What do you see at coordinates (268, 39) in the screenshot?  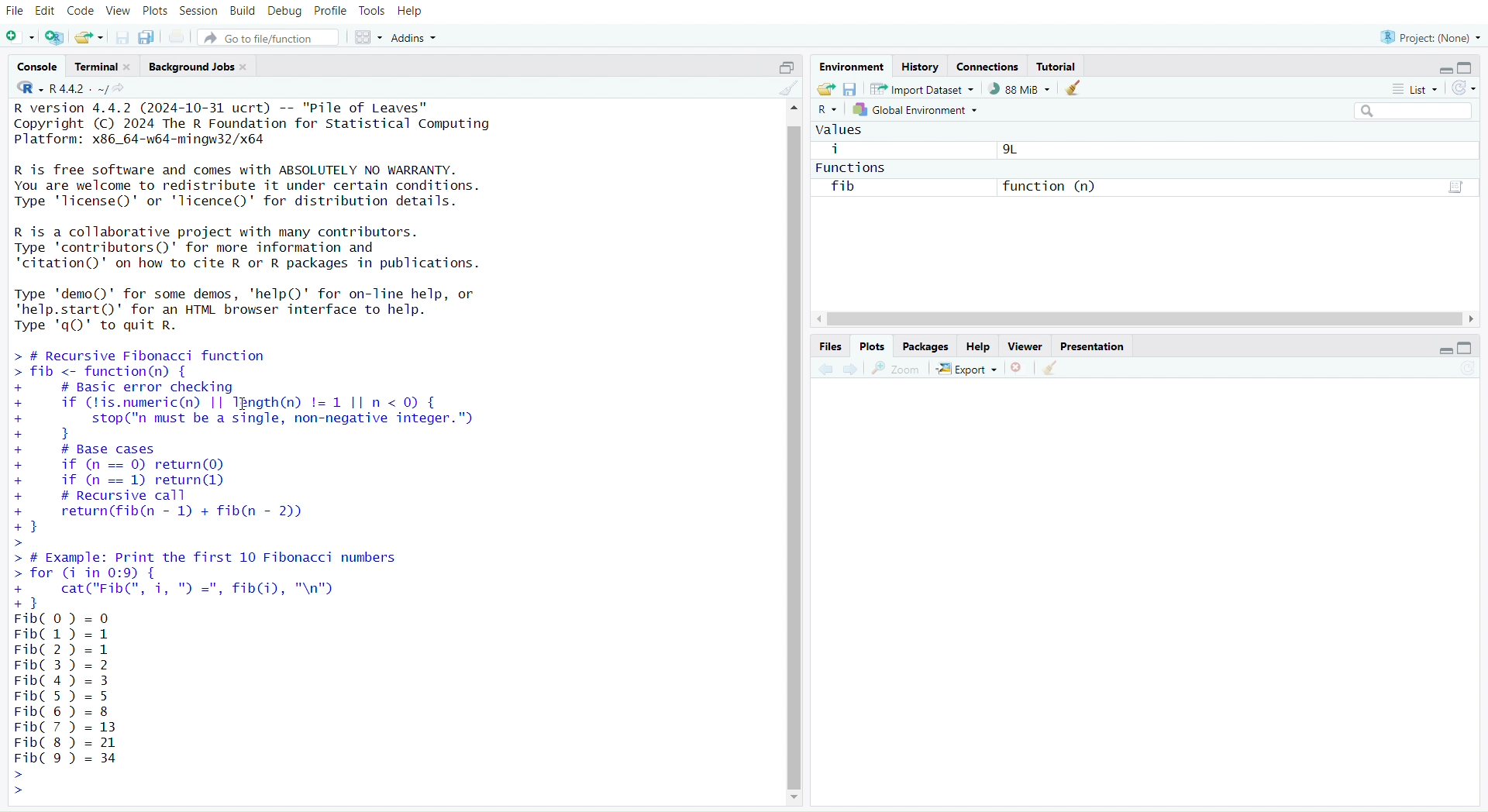 I see `go to file/function` at bounding box center [268, 39].